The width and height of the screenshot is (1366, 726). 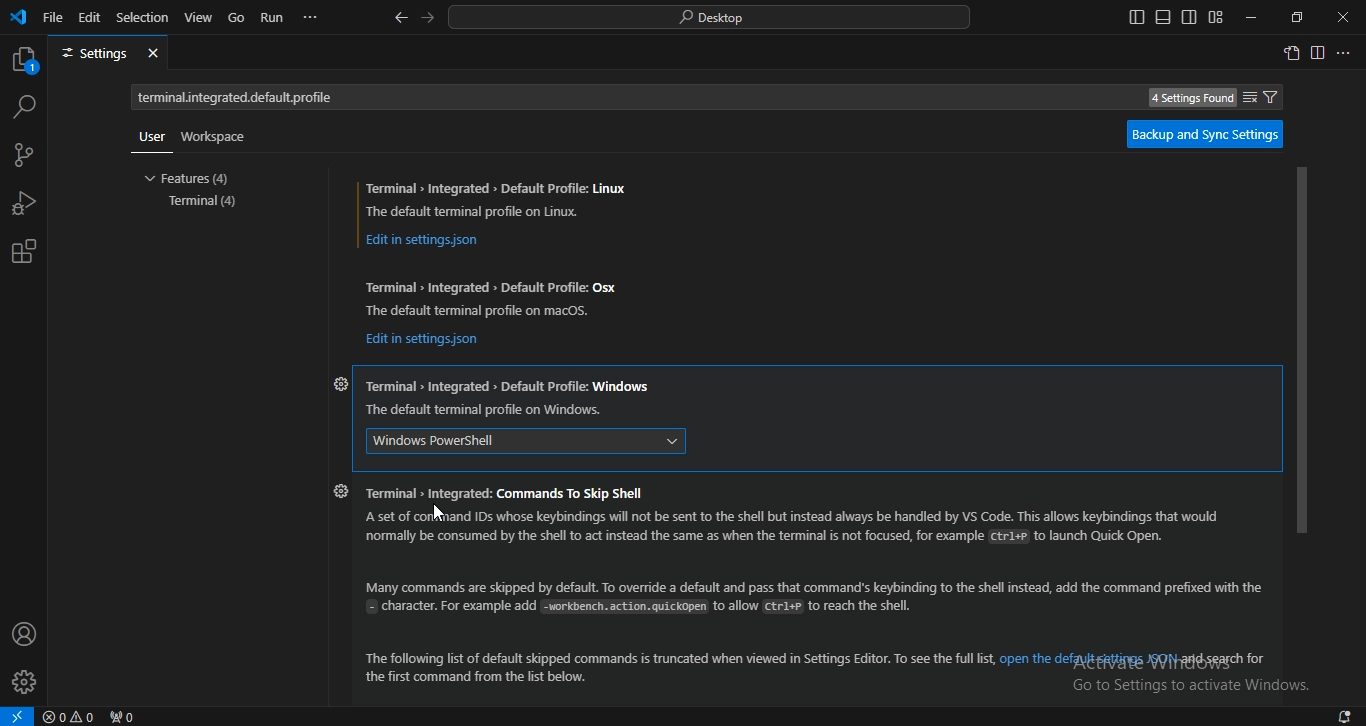 I want to click on go back, so click(x=402, y=19).